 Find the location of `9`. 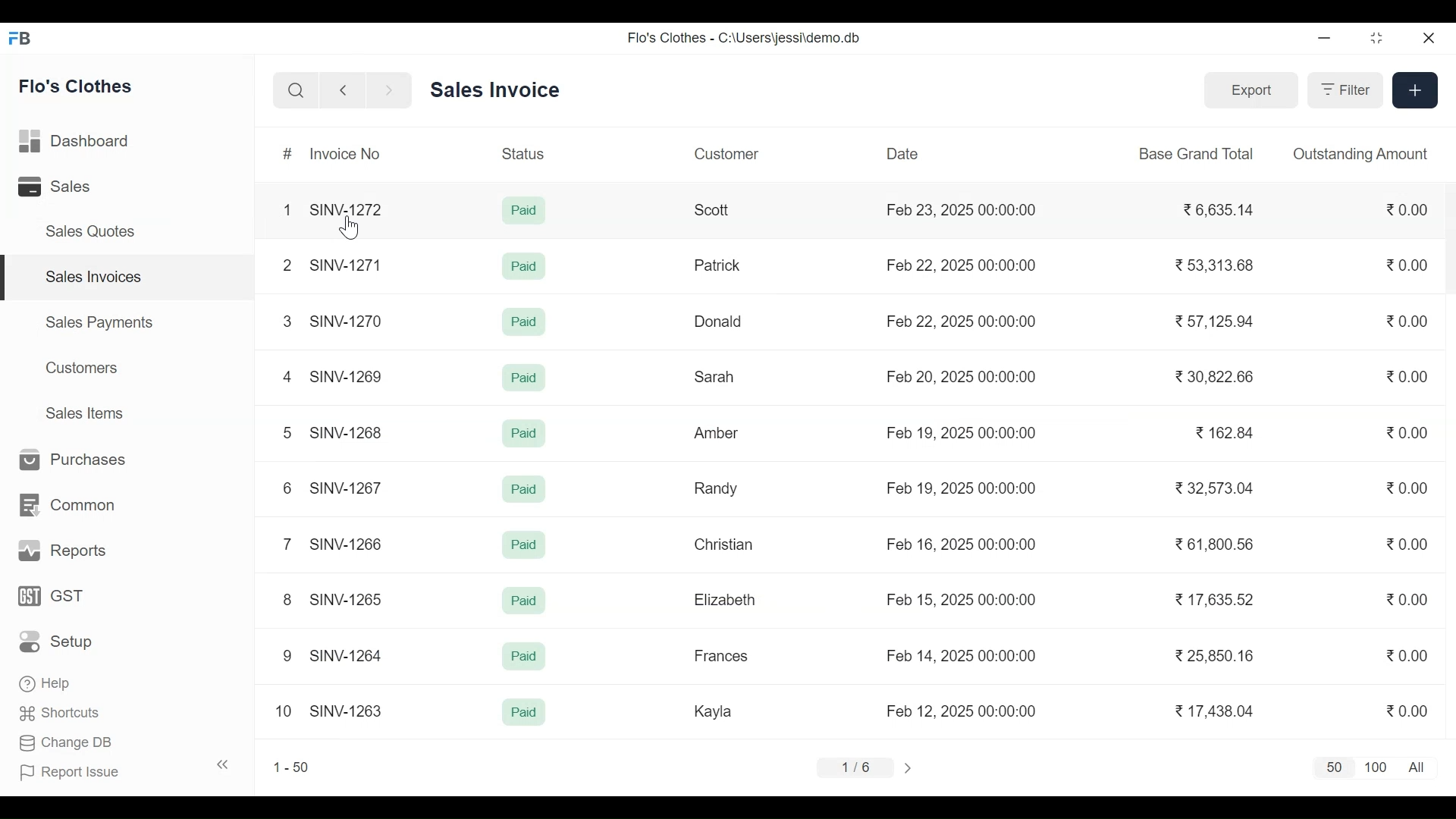

9 is located at coordinates (288, 654).